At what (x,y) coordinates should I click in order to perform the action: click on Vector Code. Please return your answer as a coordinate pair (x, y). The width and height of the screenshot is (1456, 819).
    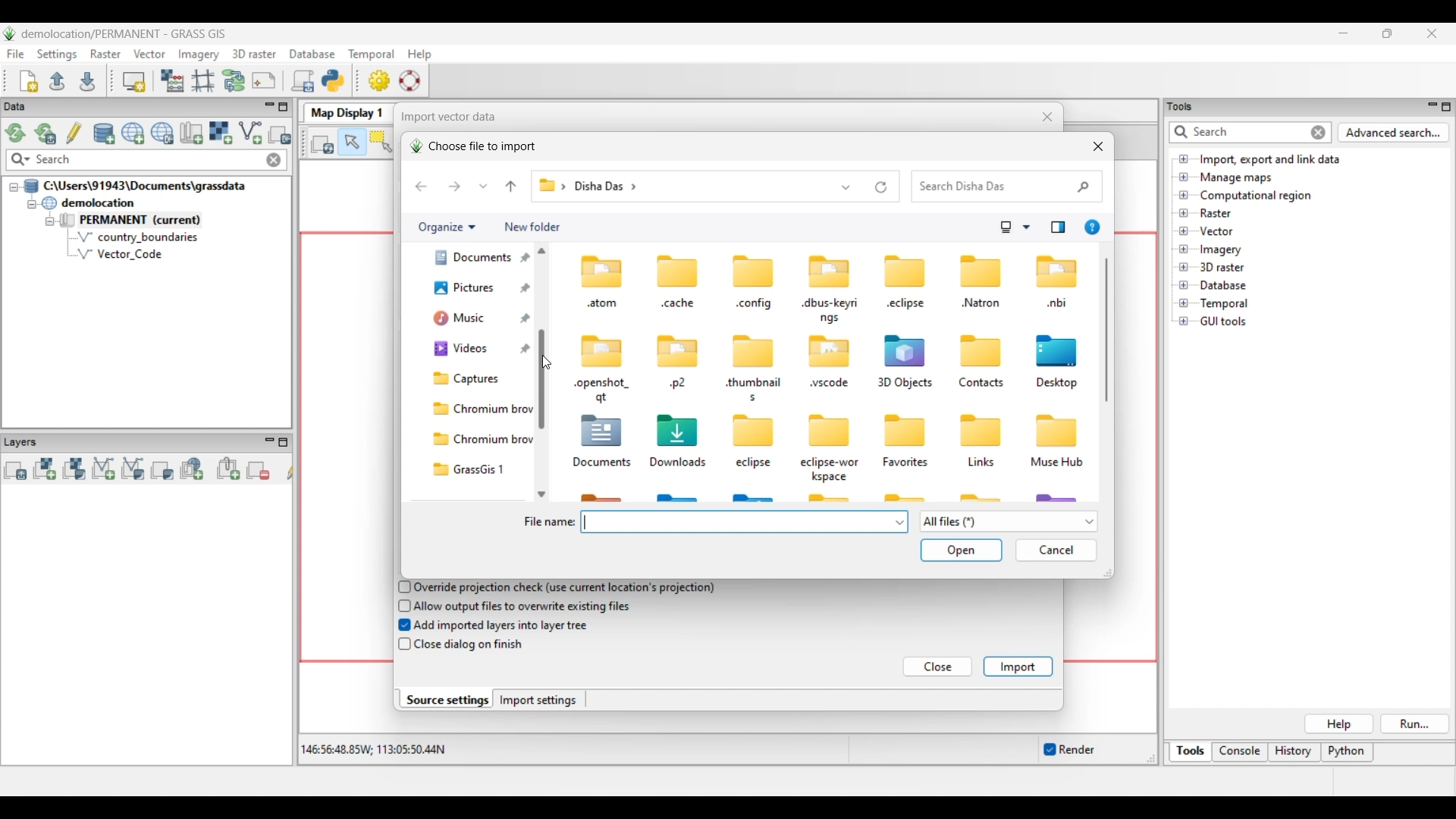
    Looking at the image, I should click on (128, 253).